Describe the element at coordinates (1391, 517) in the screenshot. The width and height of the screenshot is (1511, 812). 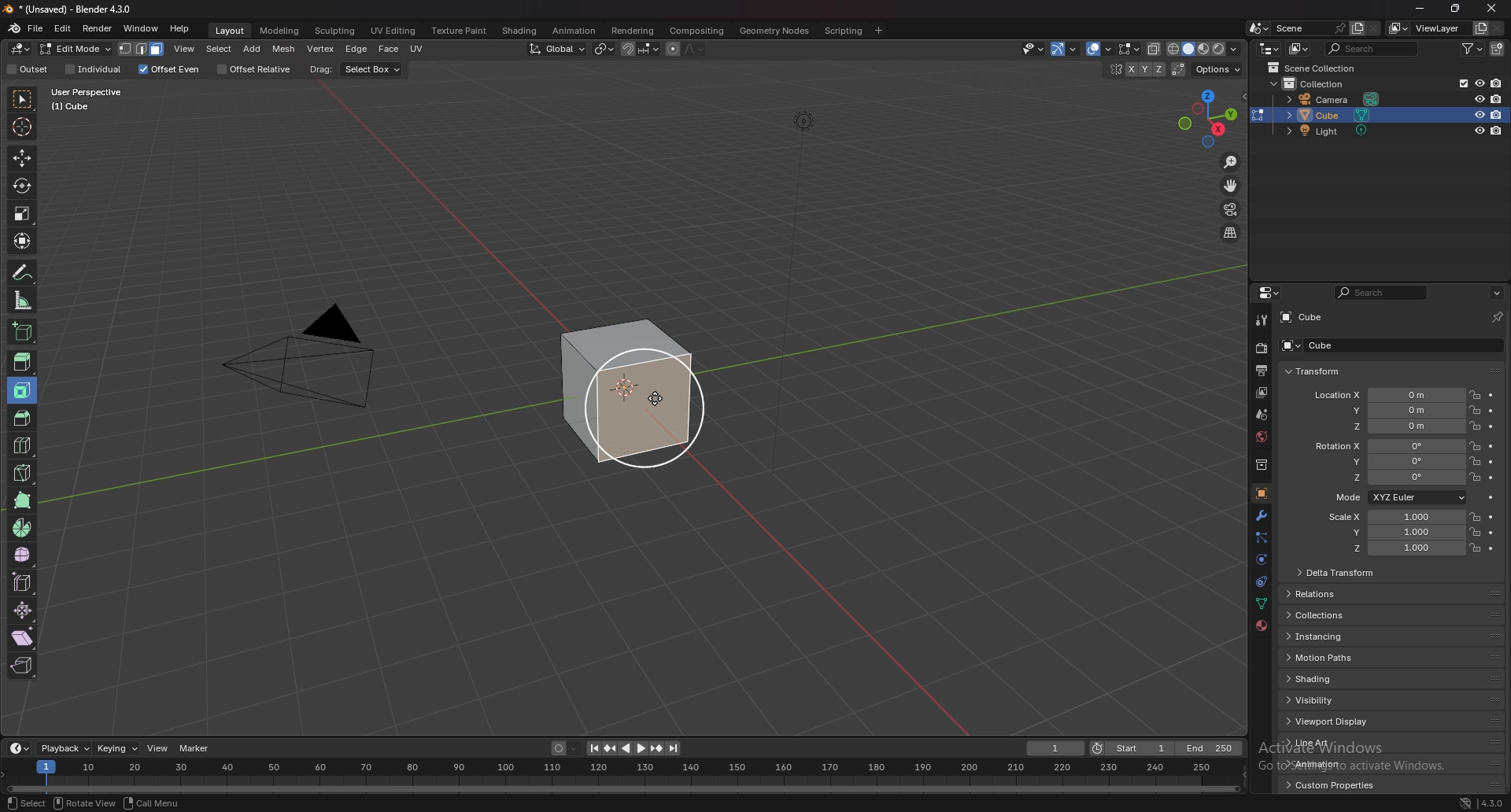
I see `scale x` at that location.